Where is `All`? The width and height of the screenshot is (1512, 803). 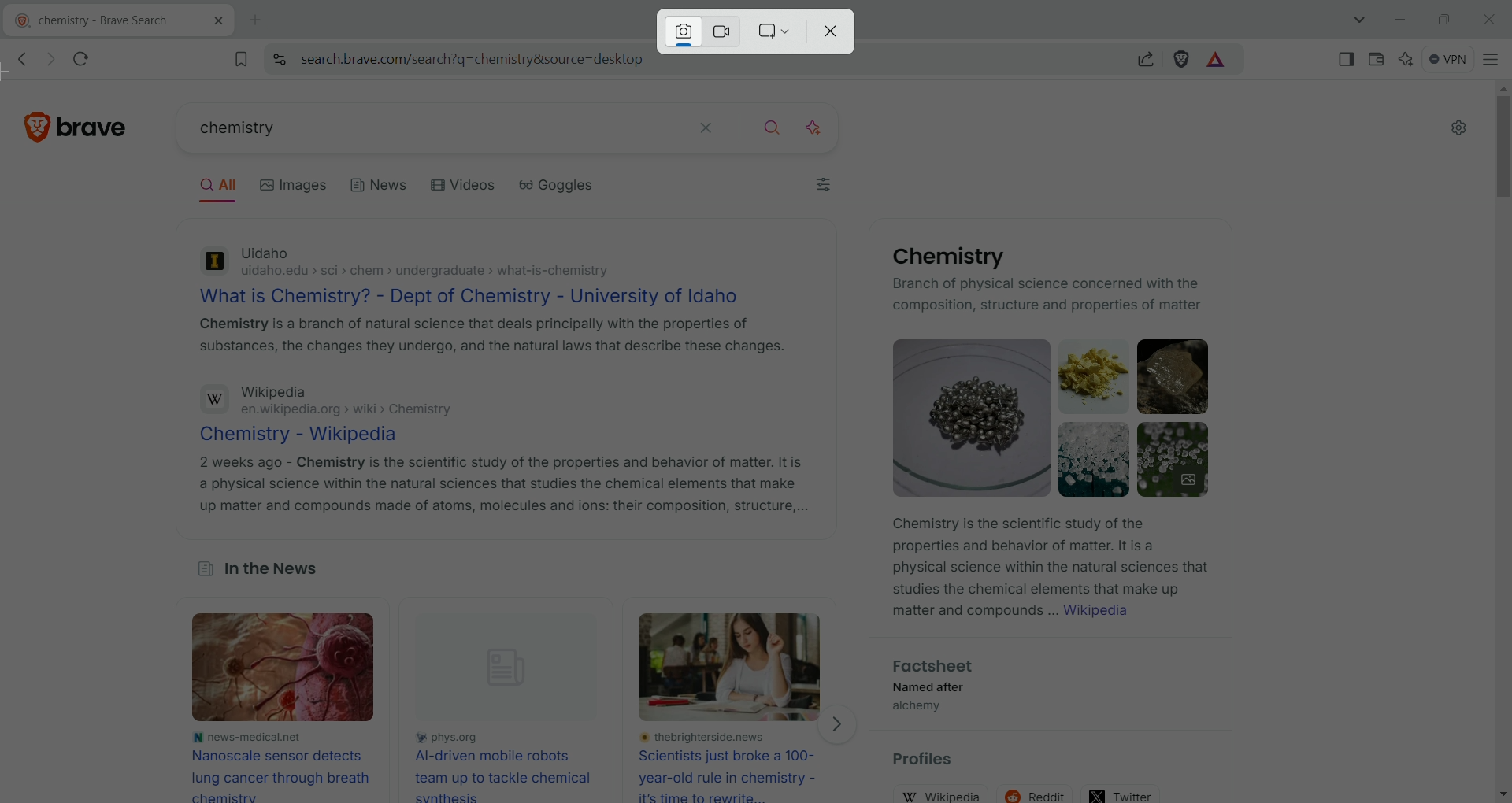
All is located at coordinates (224, 187).